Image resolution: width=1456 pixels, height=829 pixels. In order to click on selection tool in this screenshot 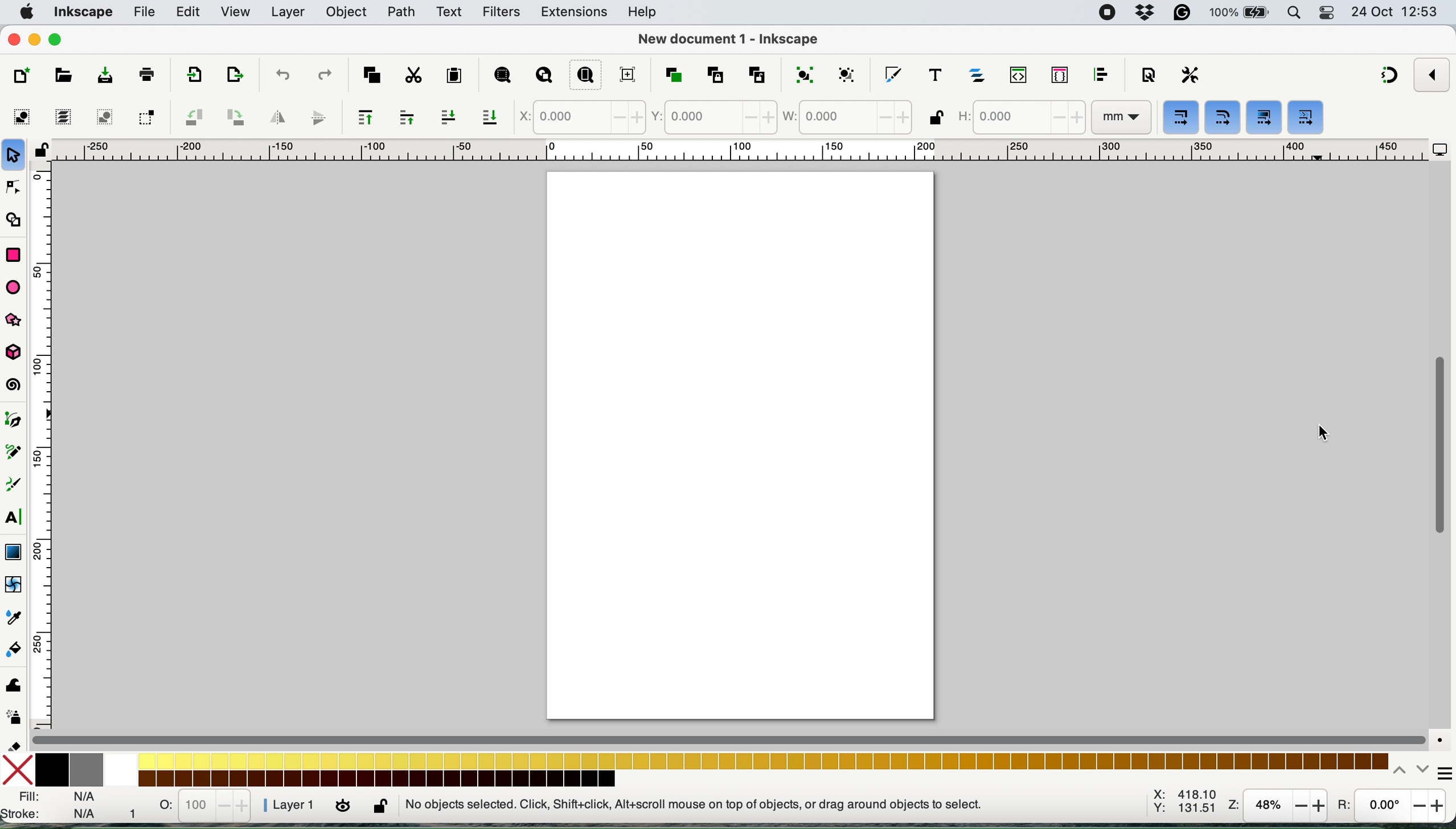, I will do `click(15, 154)`.